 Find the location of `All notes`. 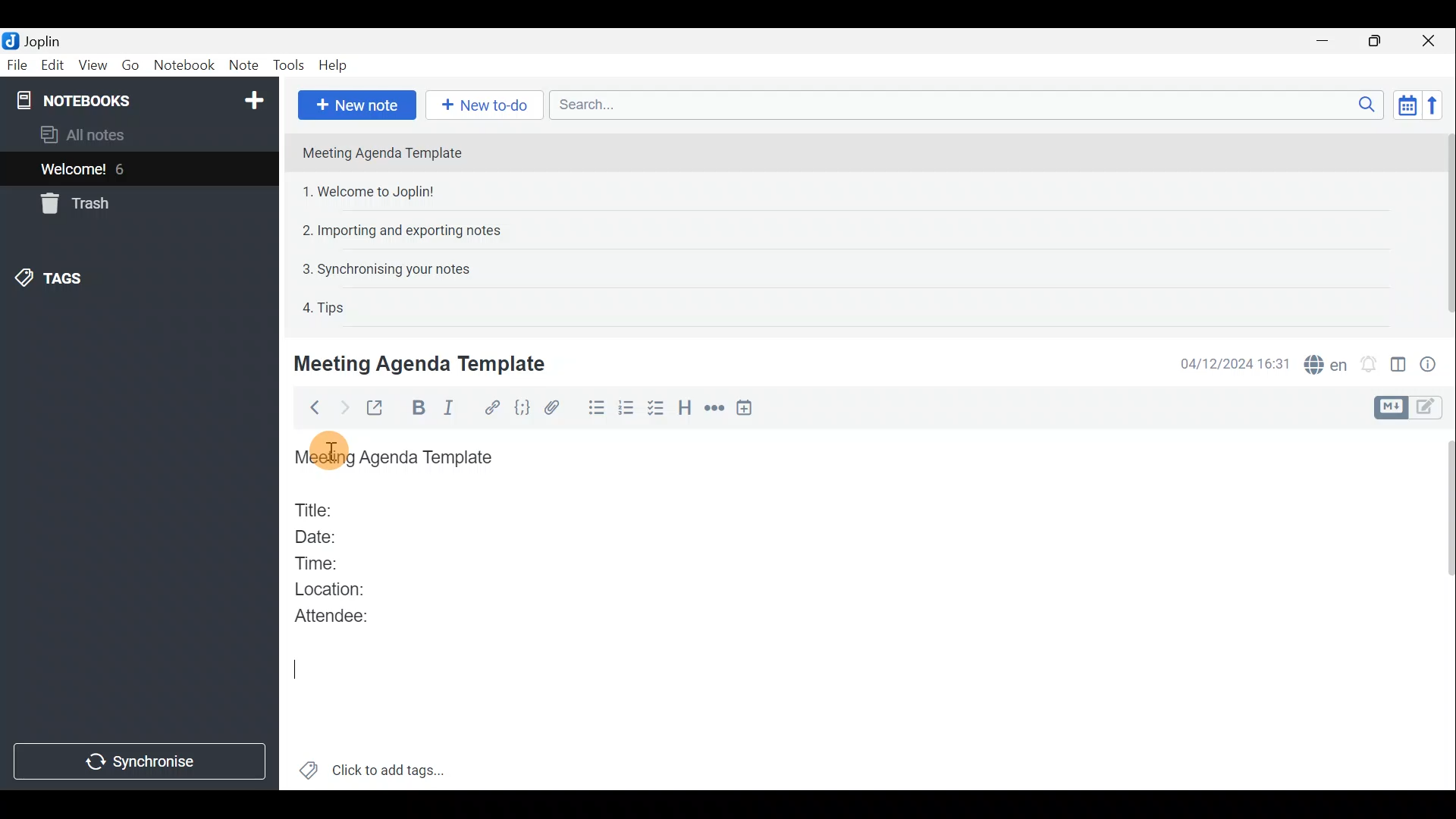

All notes is located at coordinates (108, 134).